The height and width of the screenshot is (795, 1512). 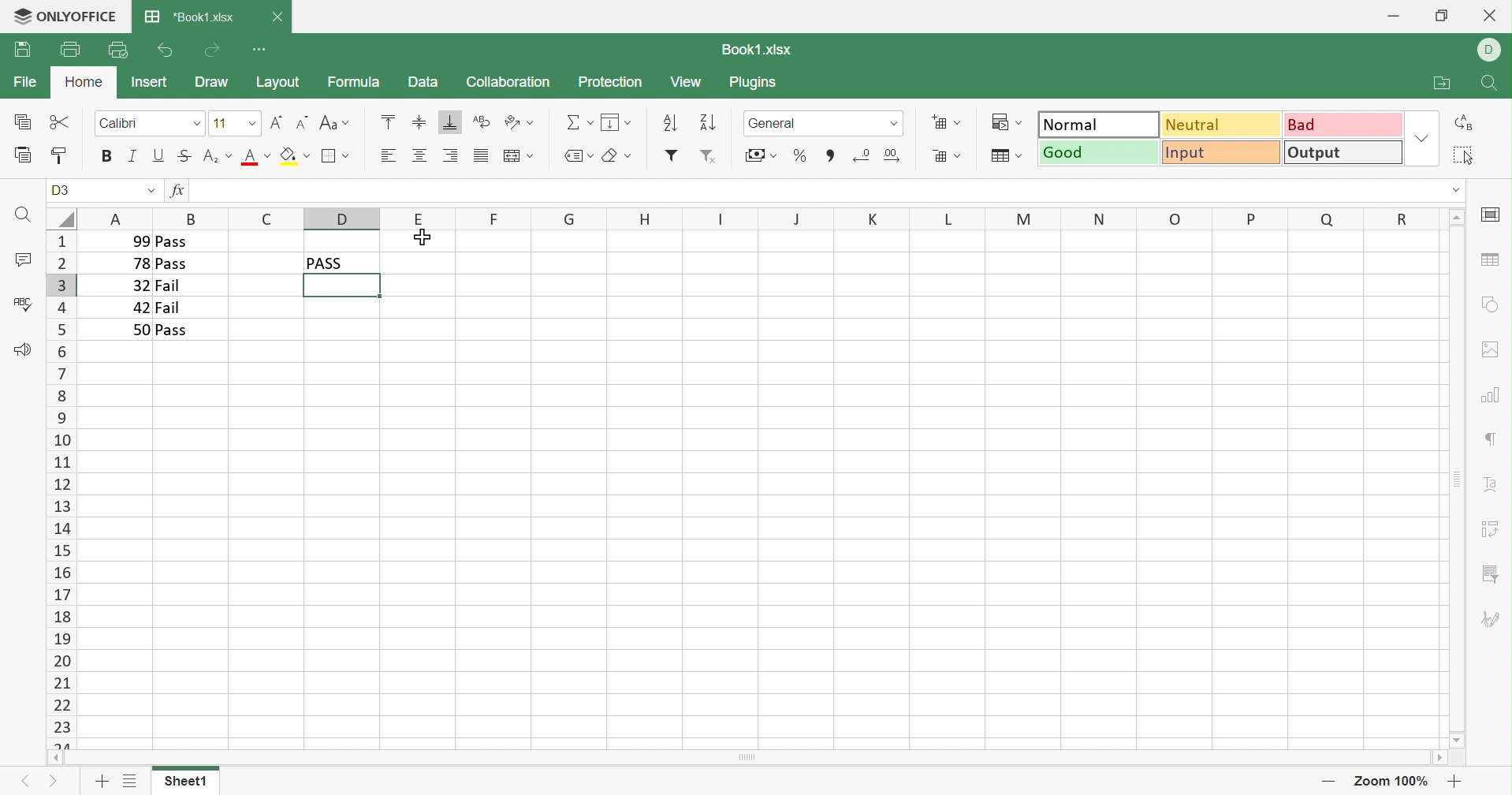 I want to click on Data, so click(x=421, y=80).